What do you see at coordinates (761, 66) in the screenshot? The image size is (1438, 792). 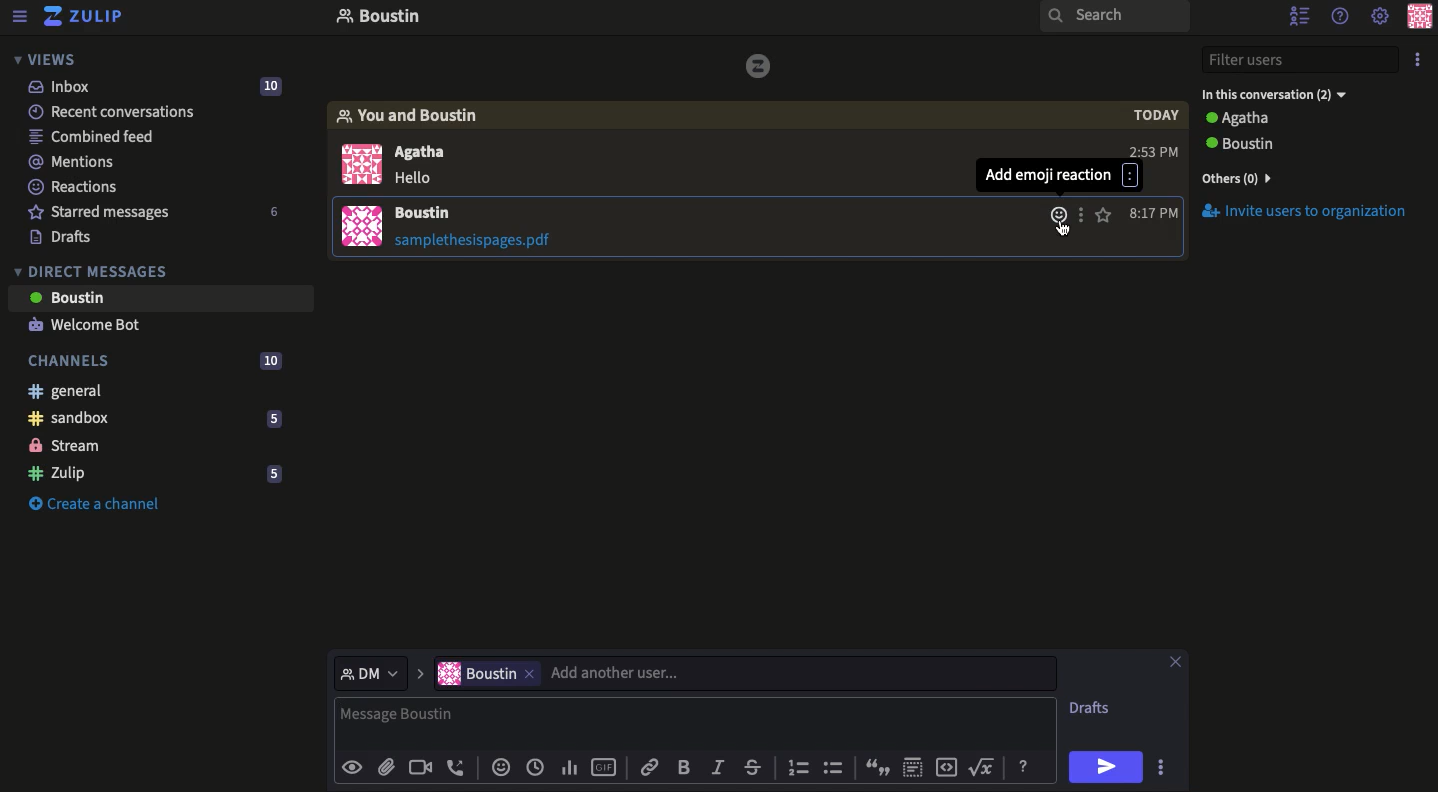 I see `image` at bounding box center [761, 66].